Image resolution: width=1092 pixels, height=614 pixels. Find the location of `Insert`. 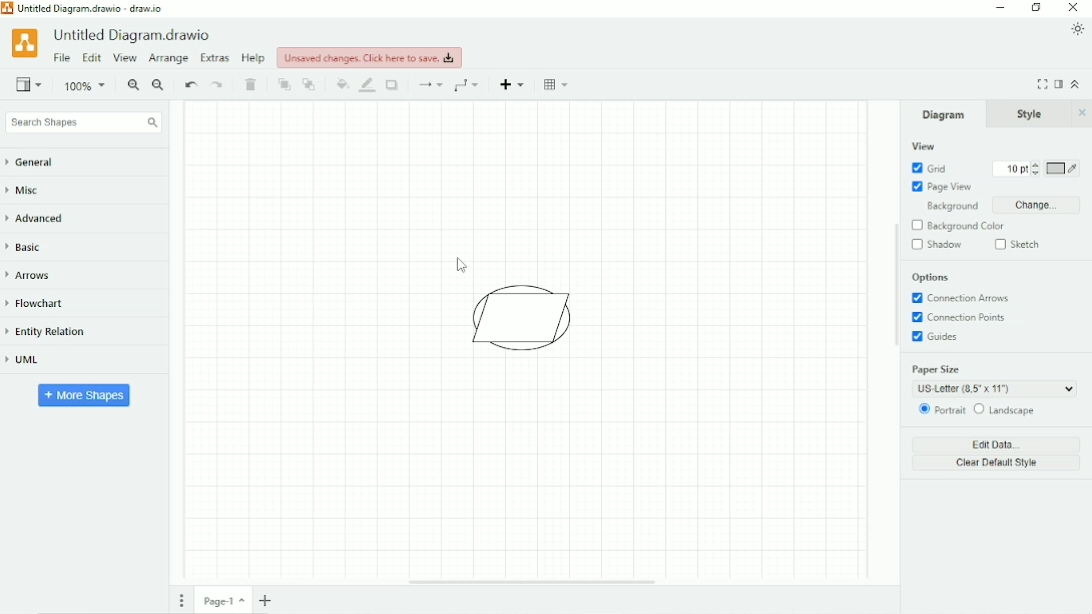

Insert is located at coordinates (514, 84).